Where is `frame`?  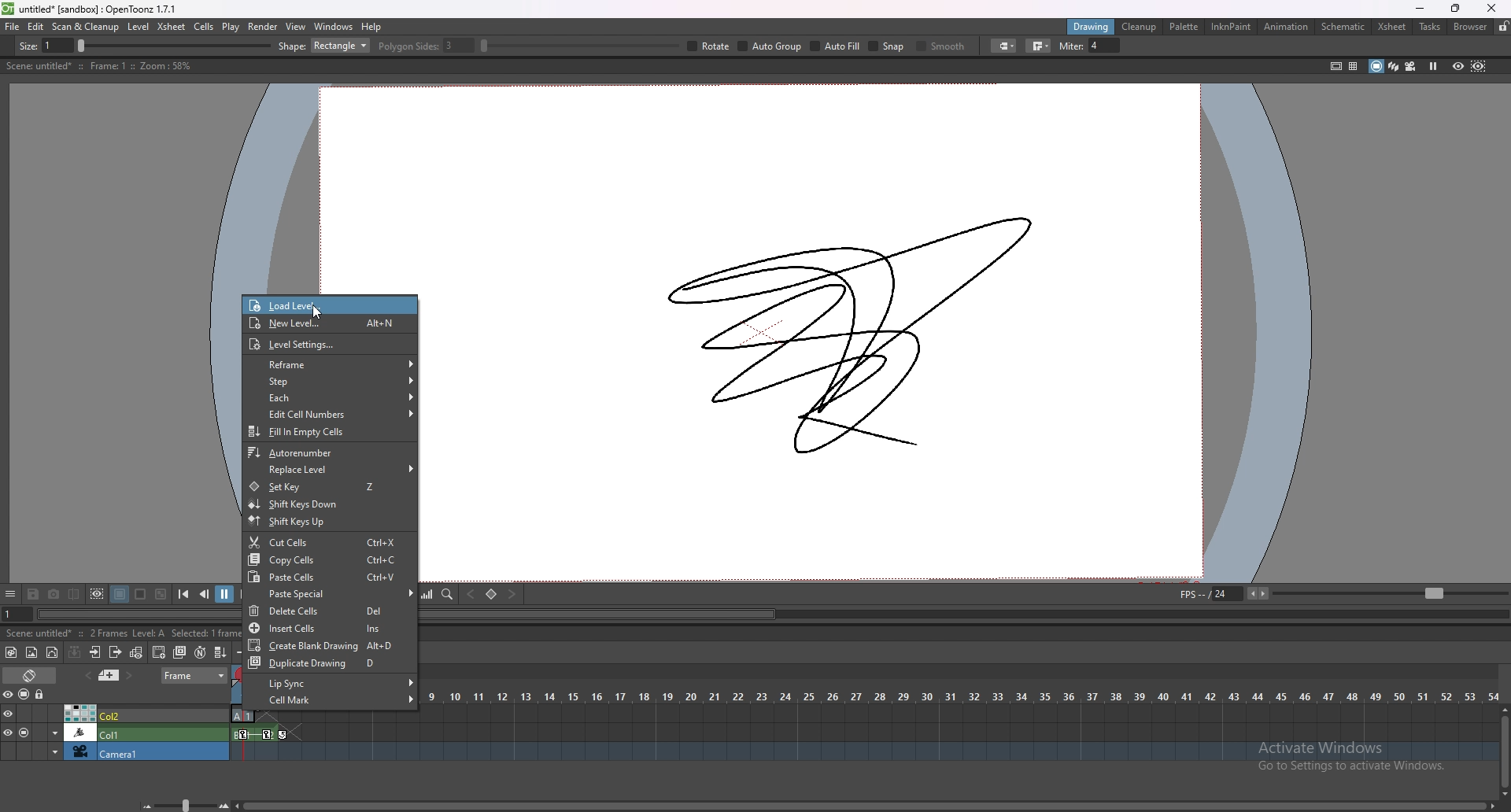 frame is located at coordinates (195, 674).